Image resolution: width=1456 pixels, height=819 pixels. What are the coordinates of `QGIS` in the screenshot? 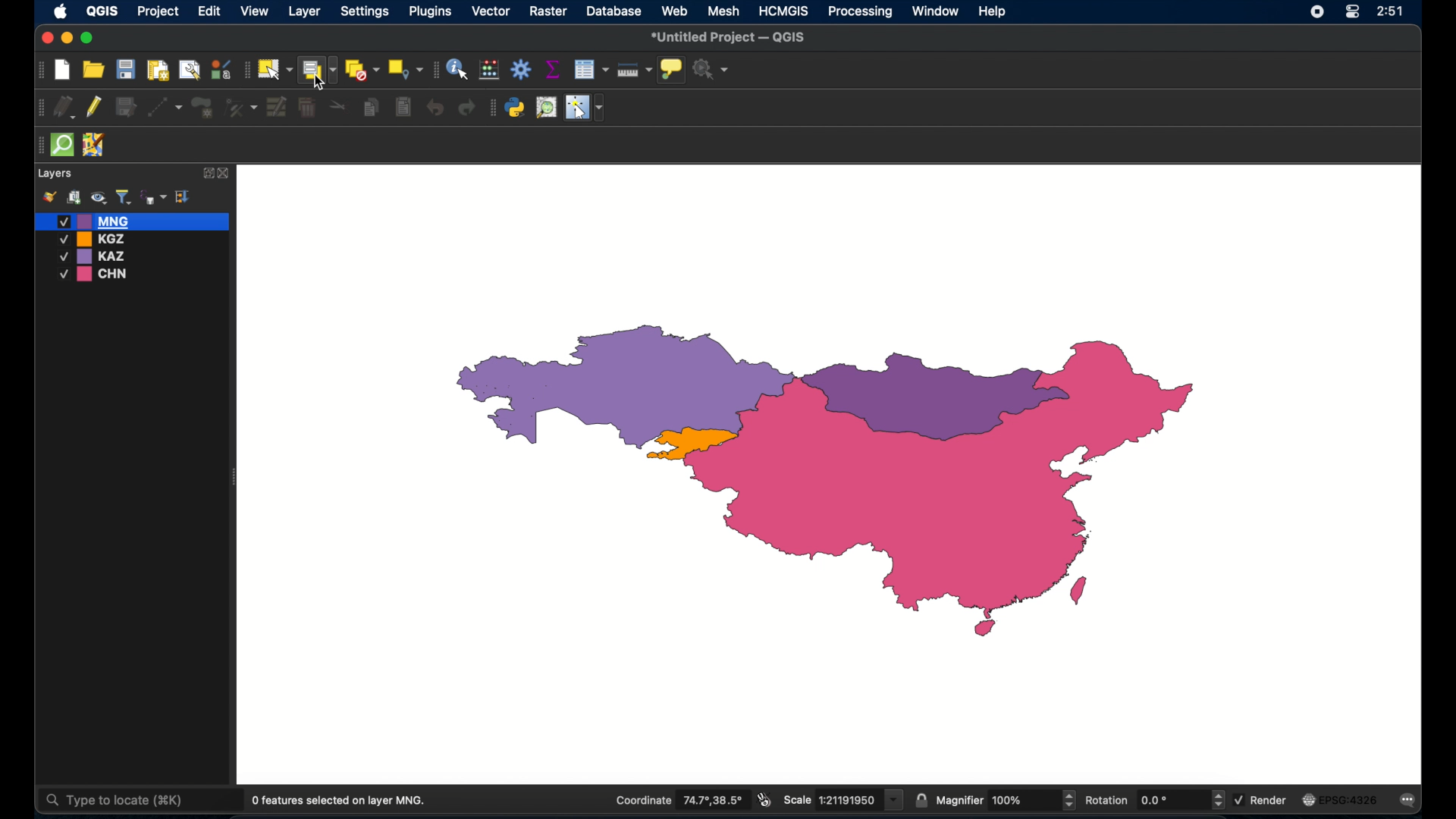 It's located at (101, 14).